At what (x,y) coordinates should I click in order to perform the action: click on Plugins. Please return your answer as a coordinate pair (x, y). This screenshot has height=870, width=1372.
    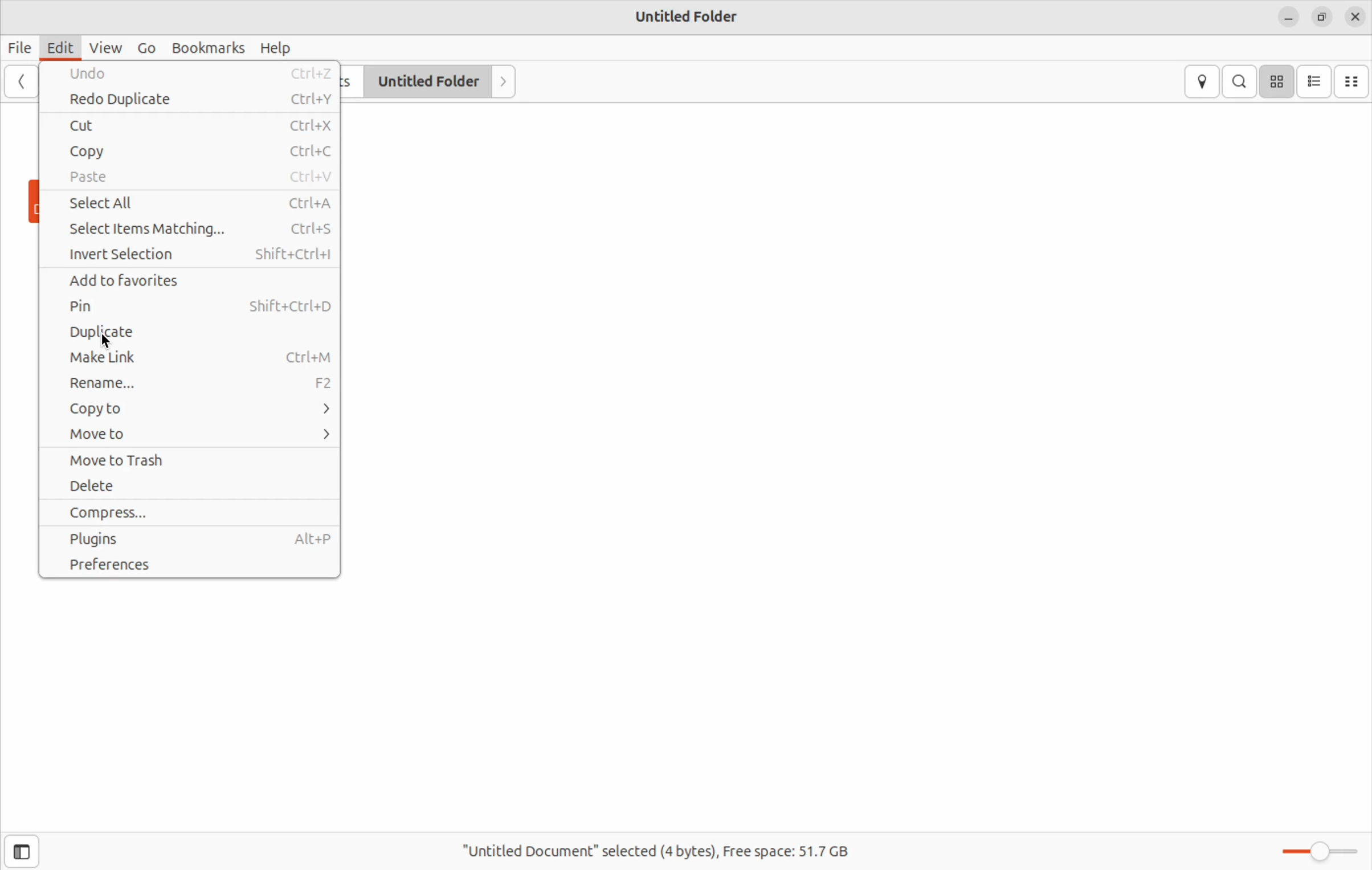
    Looking at the image, I should click on (191, 537).